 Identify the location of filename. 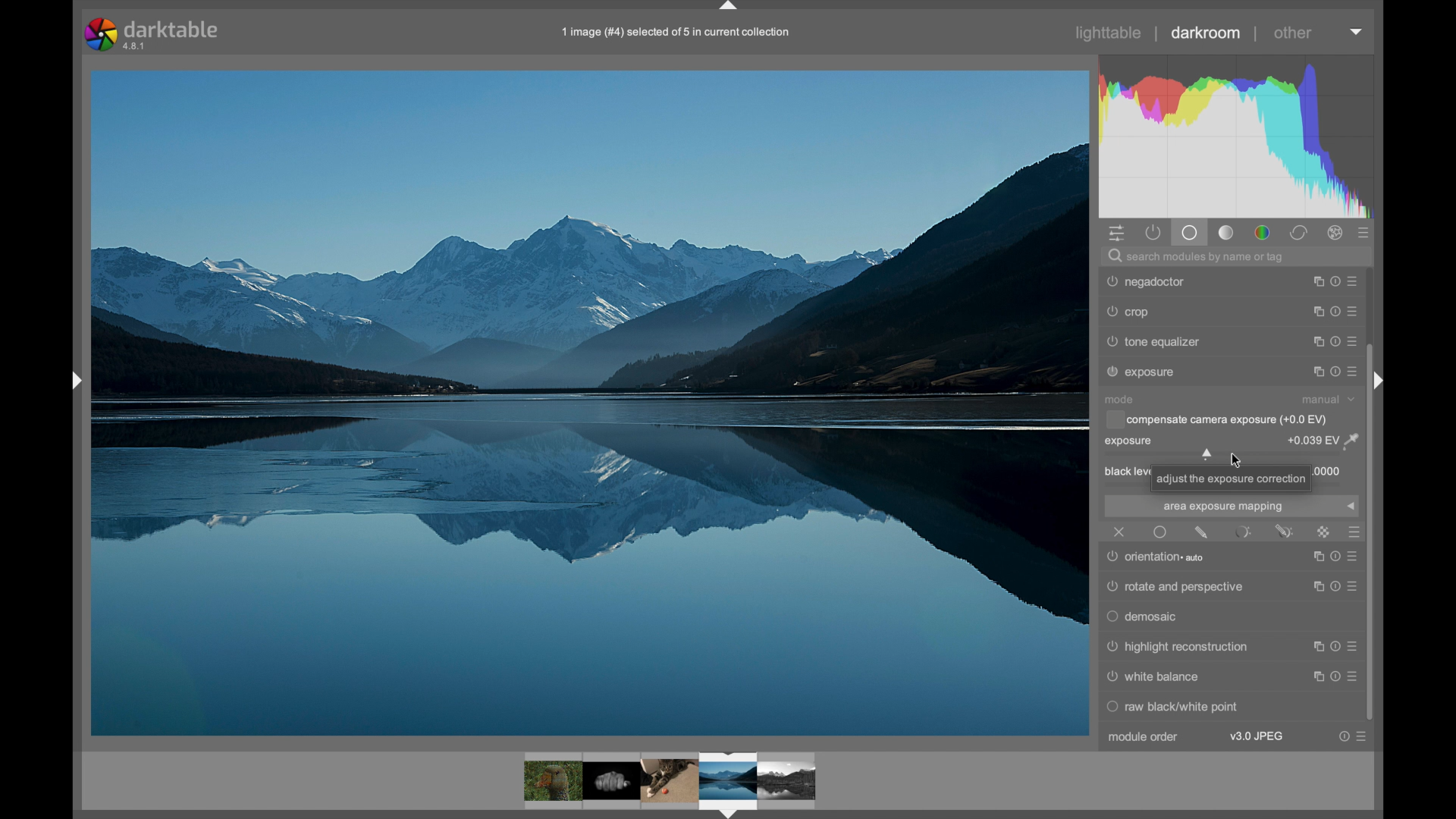
(676, 32).